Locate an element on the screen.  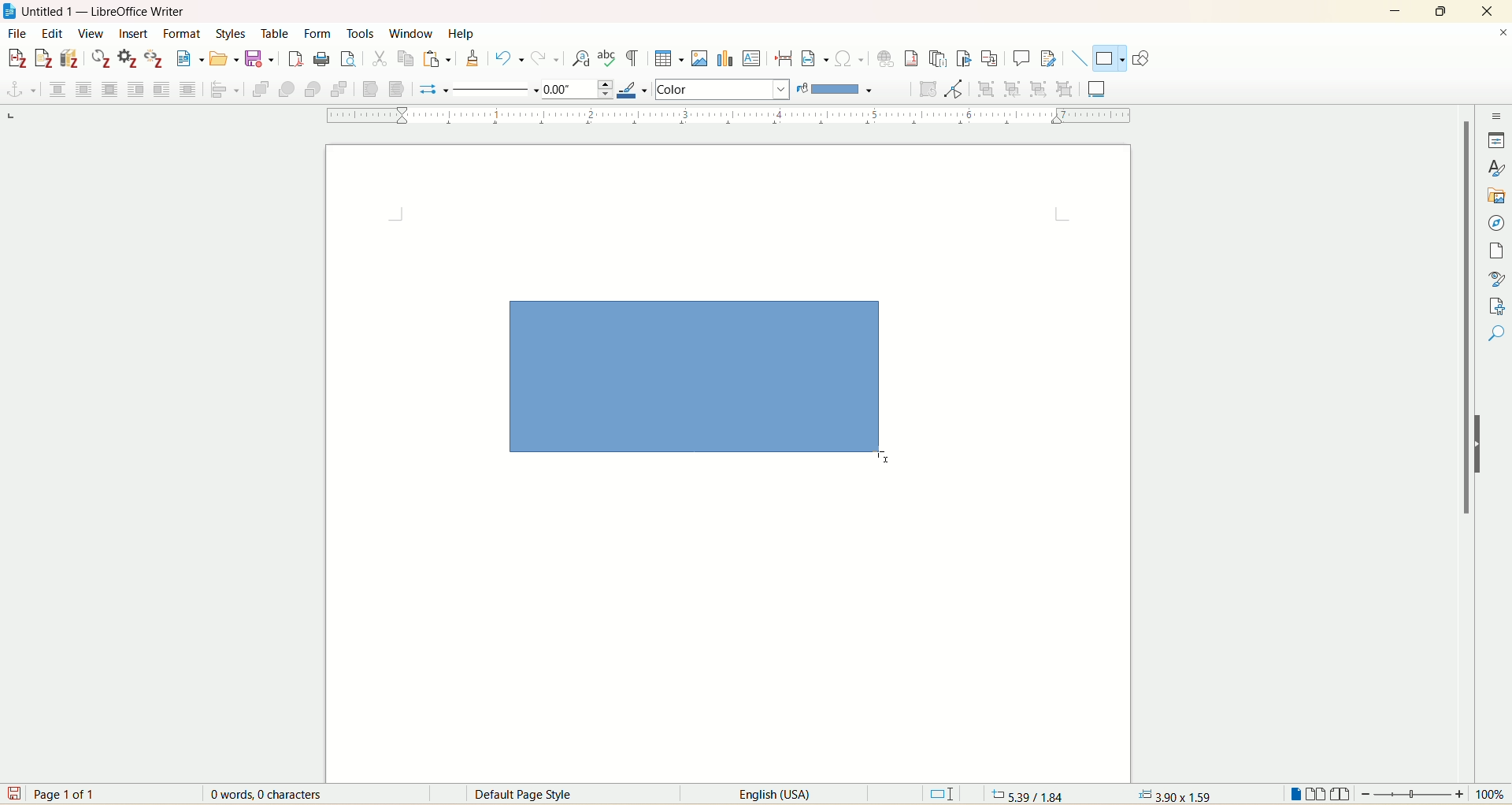
after is located at coordinates (161, 88).